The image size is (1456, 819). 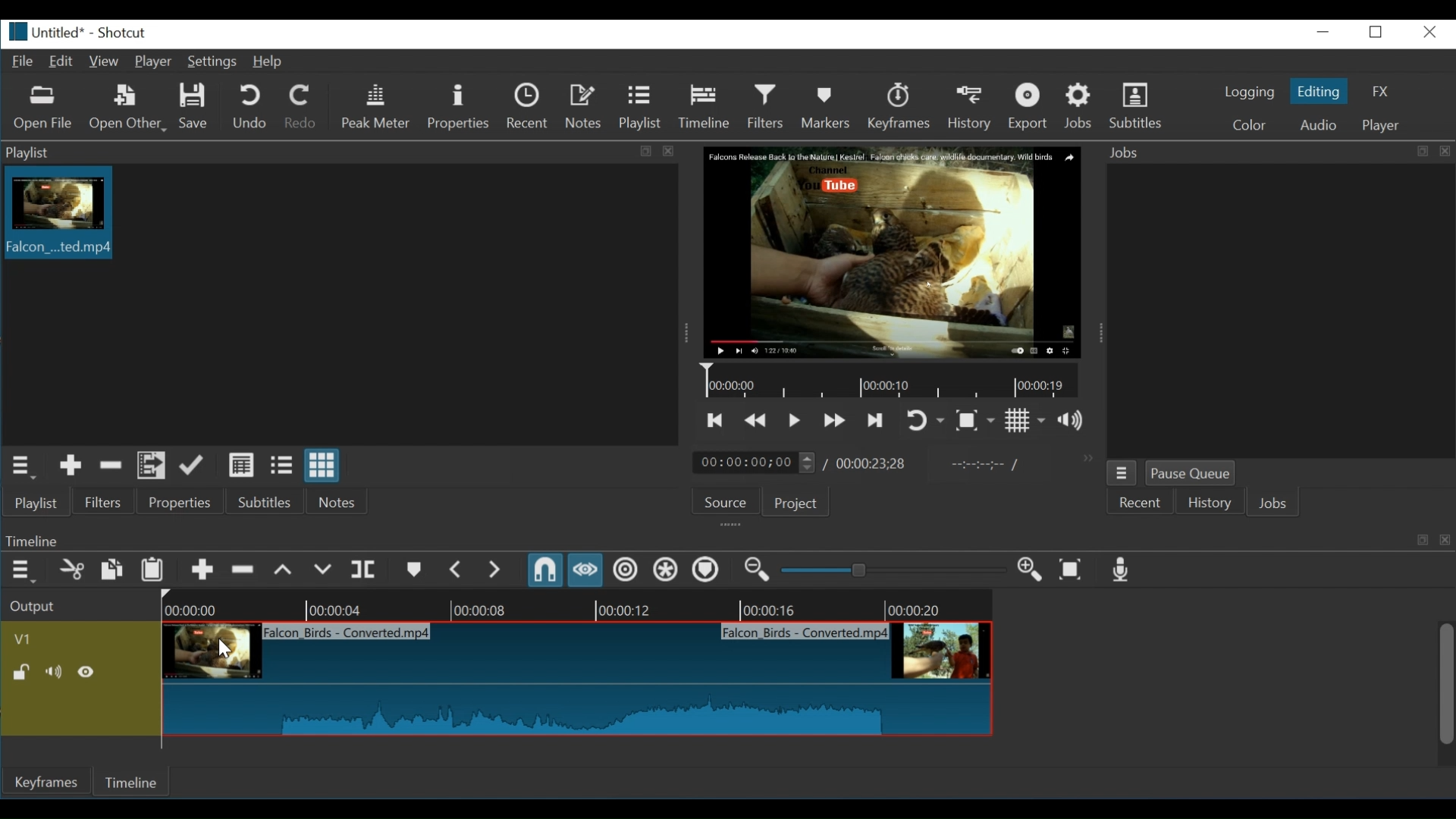 I want to click on Zoom timeline out, so click(x=756, y=570).